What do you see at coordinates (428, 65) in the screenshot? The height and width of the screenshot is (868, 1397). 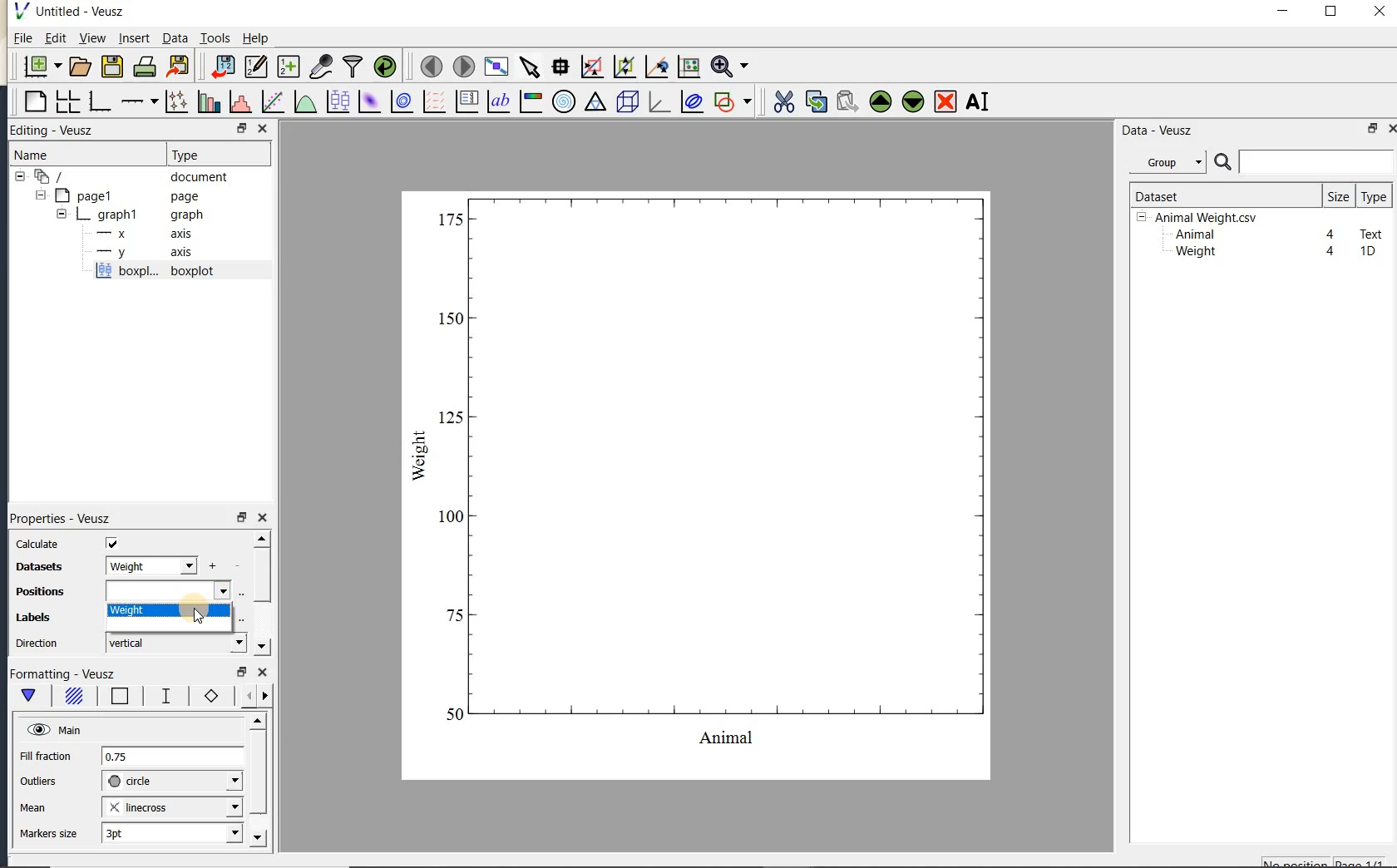 I see `move to the previous page` at bounding box center [428, 65].